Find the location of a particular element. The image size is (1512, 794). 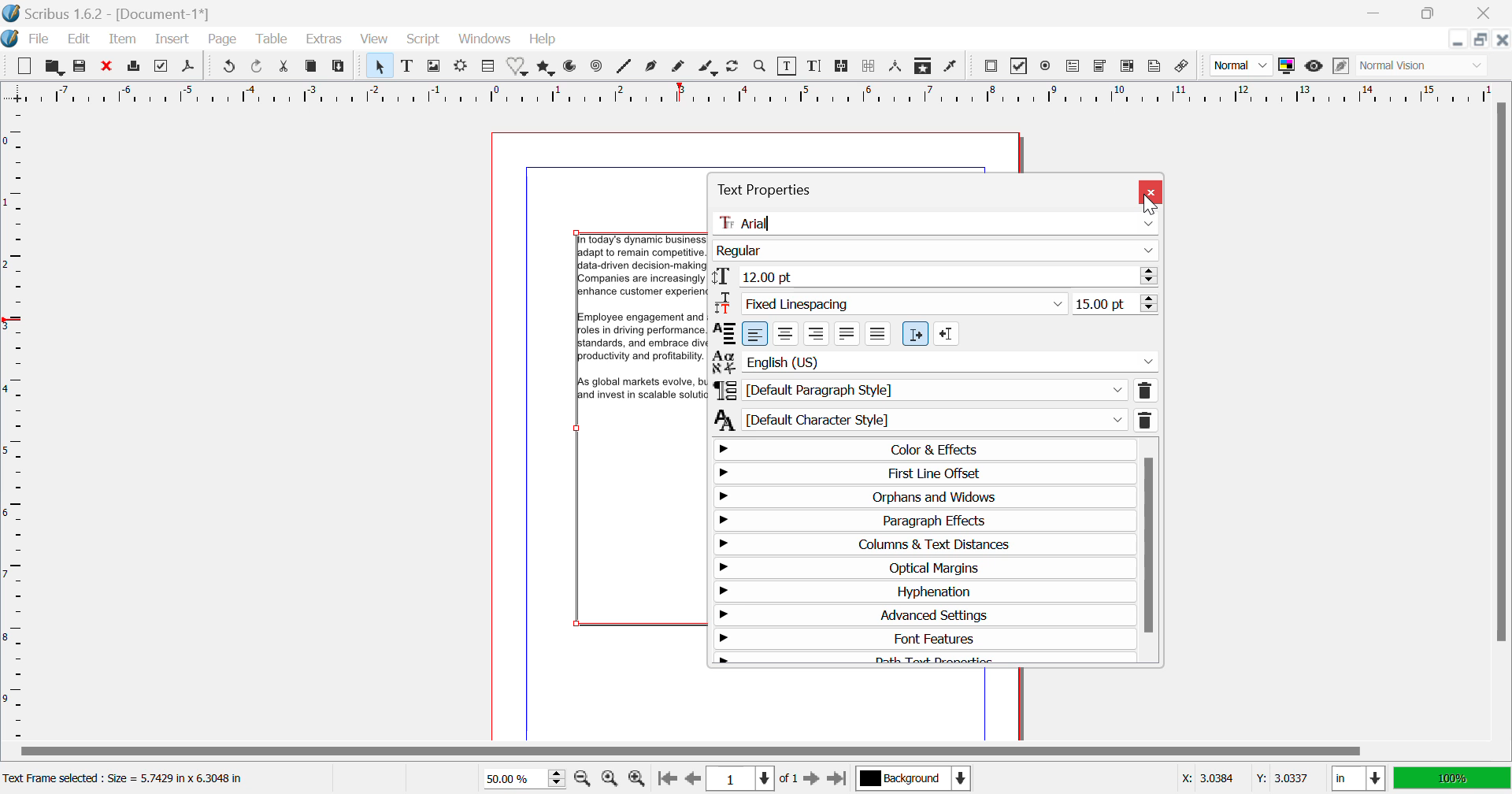

Edit Content in Frames is located at coordinates (787, 66).